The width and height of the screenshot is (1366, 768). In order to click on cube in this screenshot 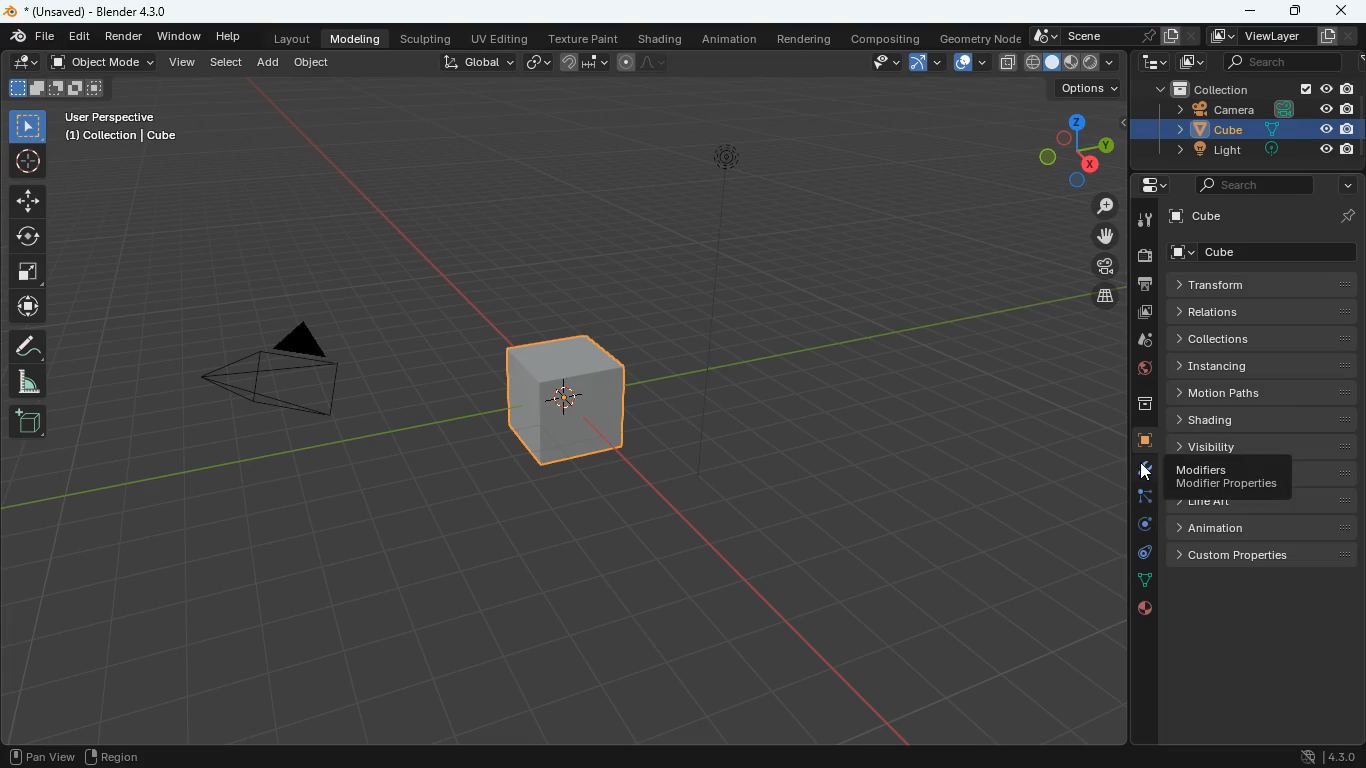, I will do `click(1265, 253)`.